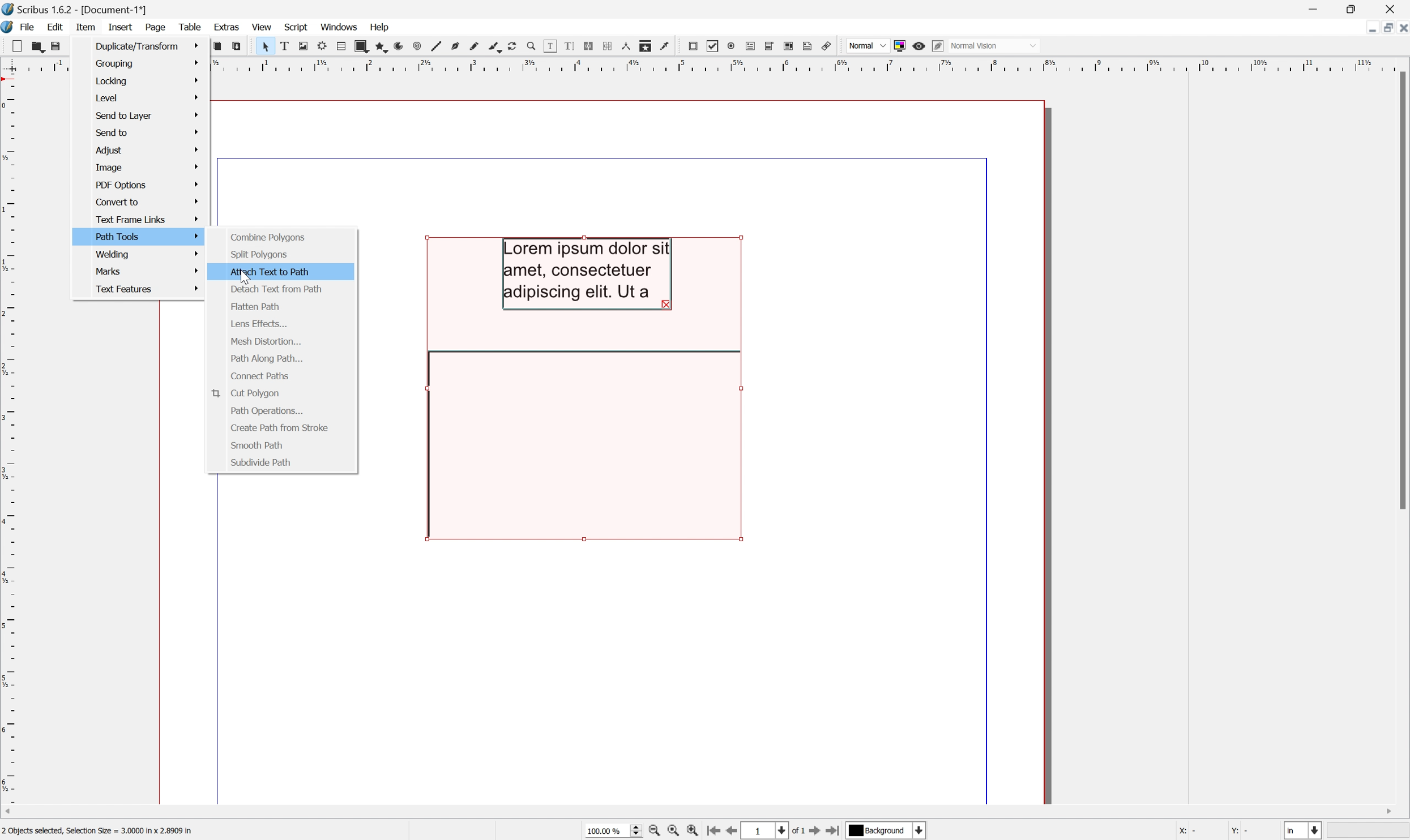  I want to click on Duplicate, so click(148, 45).